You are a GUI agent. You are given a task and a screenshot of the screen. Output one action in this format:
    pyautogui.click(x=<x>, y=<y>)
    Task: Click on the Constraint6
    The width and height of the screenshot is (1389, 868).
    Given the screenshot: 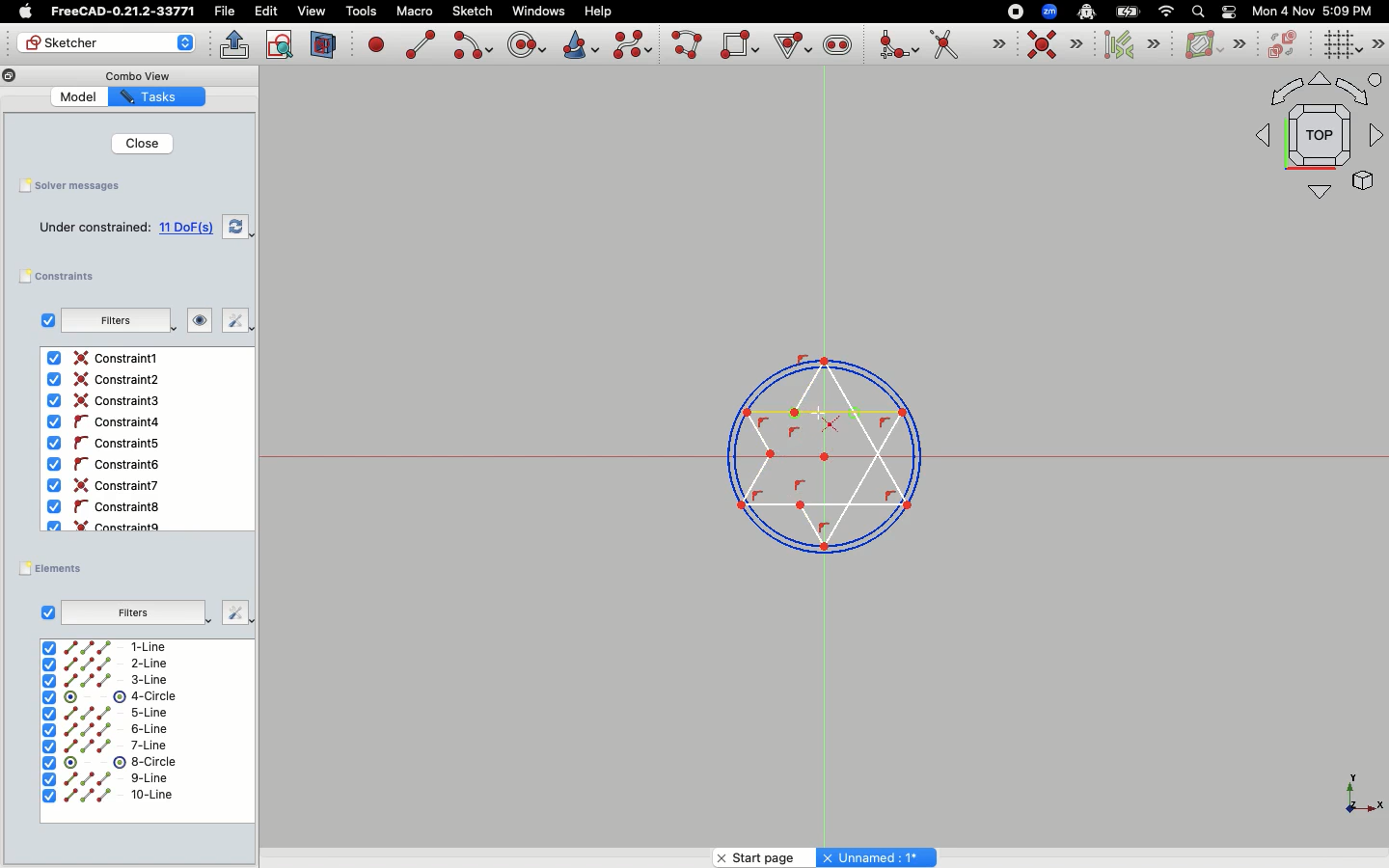 What is the action you would take?
    pyautogui.click(x=108, y=485)
    